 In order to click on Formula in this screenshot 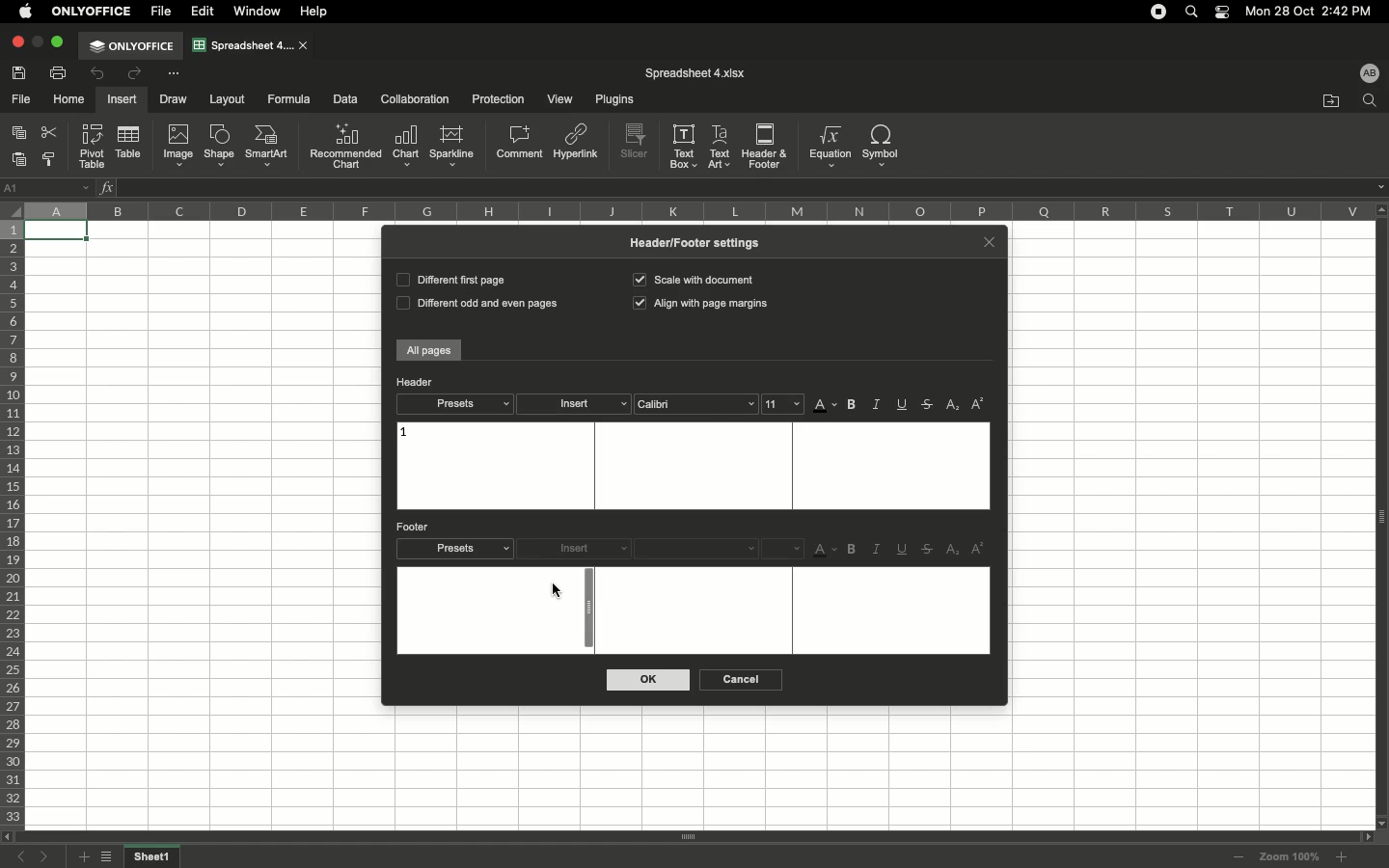, I will do `click(286, 98)`.